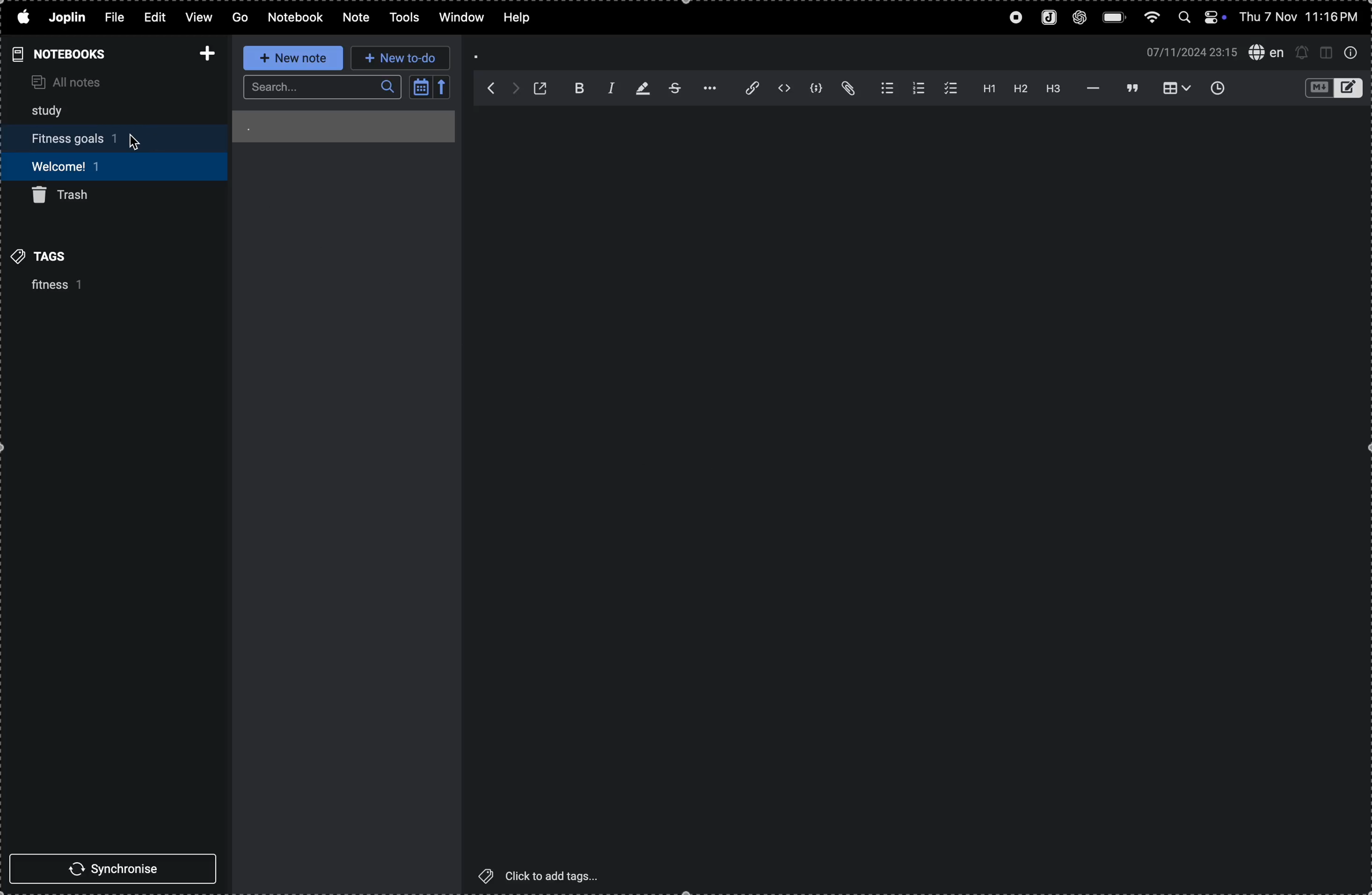 This screenshot has width=1372, height=895. I want to click on toggle external editing, so click(543, 87).